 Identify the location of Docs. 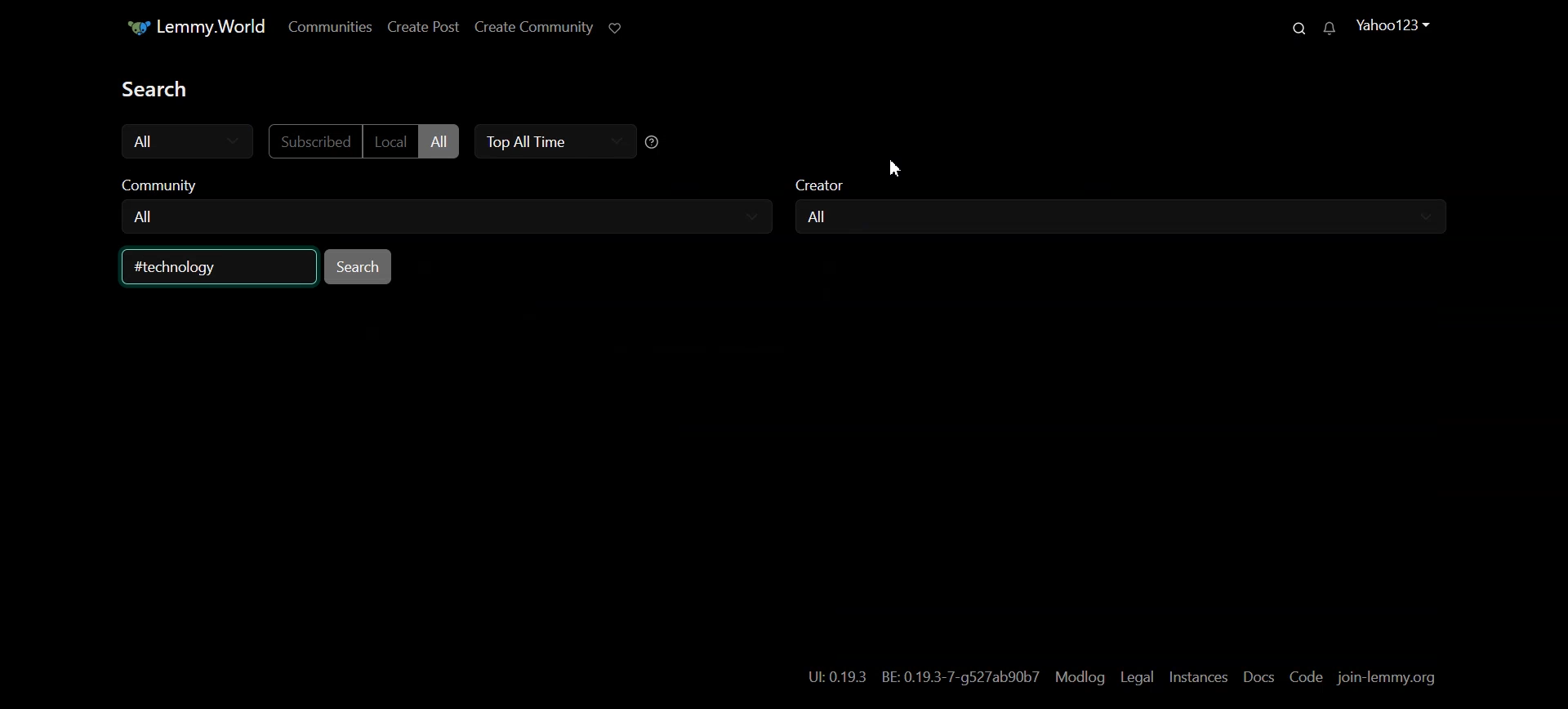
(1260, 677).